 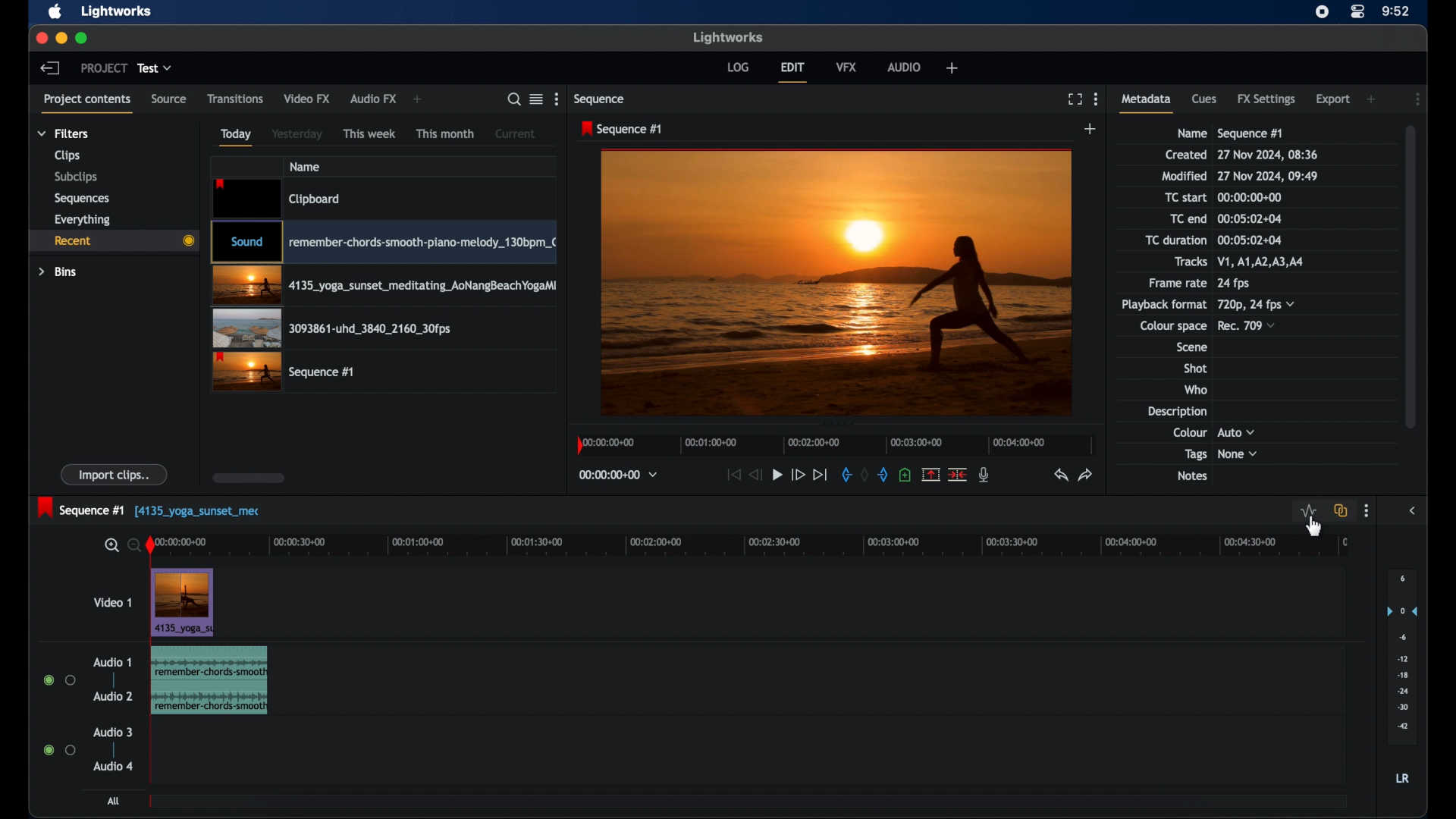 What do you see at coordinates (1396, 10) in the screenshot?
I see `time` at bounding box center [1396, 10].